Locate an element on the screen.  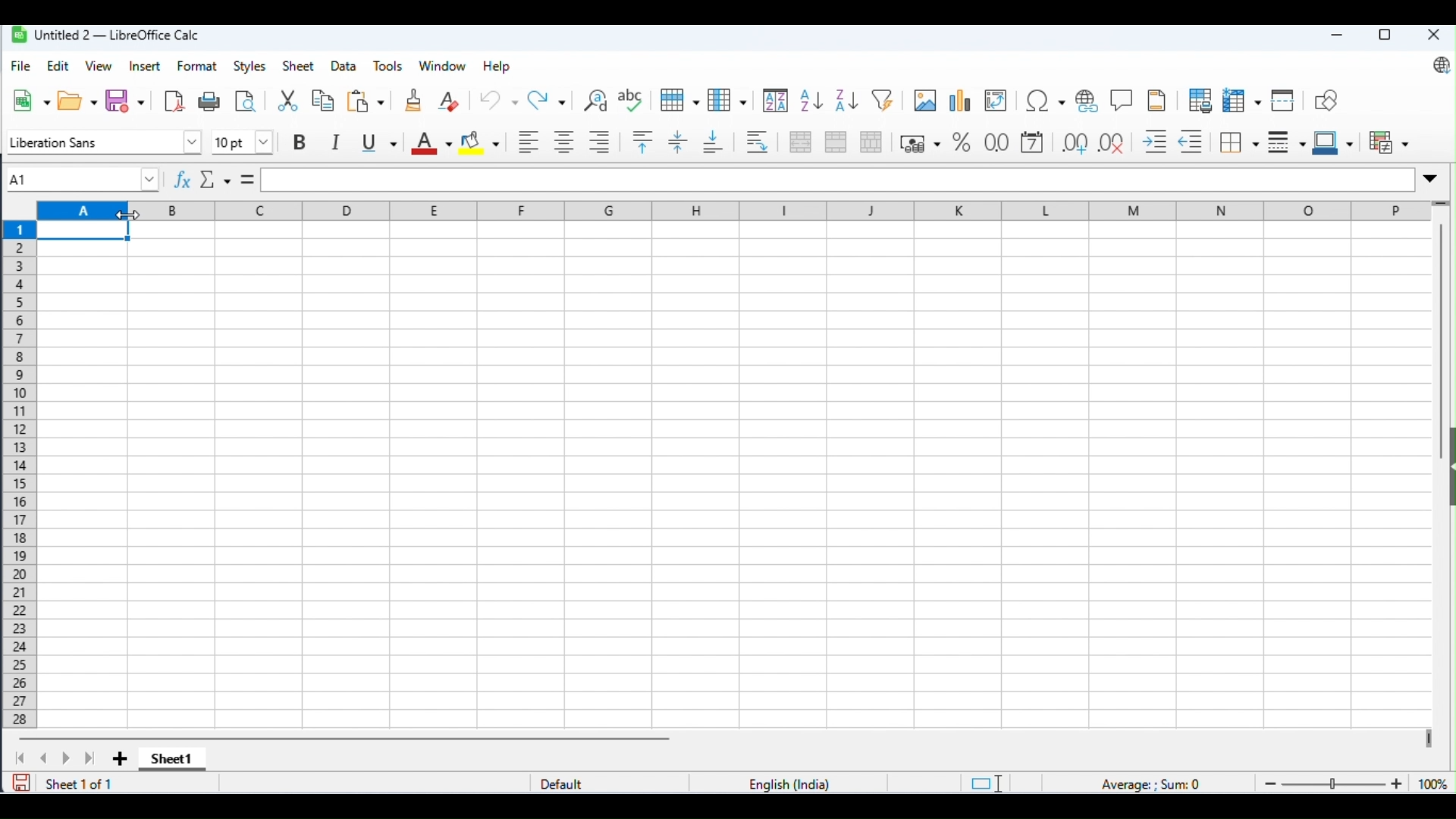
formula is located at coordinates (1154, 783).